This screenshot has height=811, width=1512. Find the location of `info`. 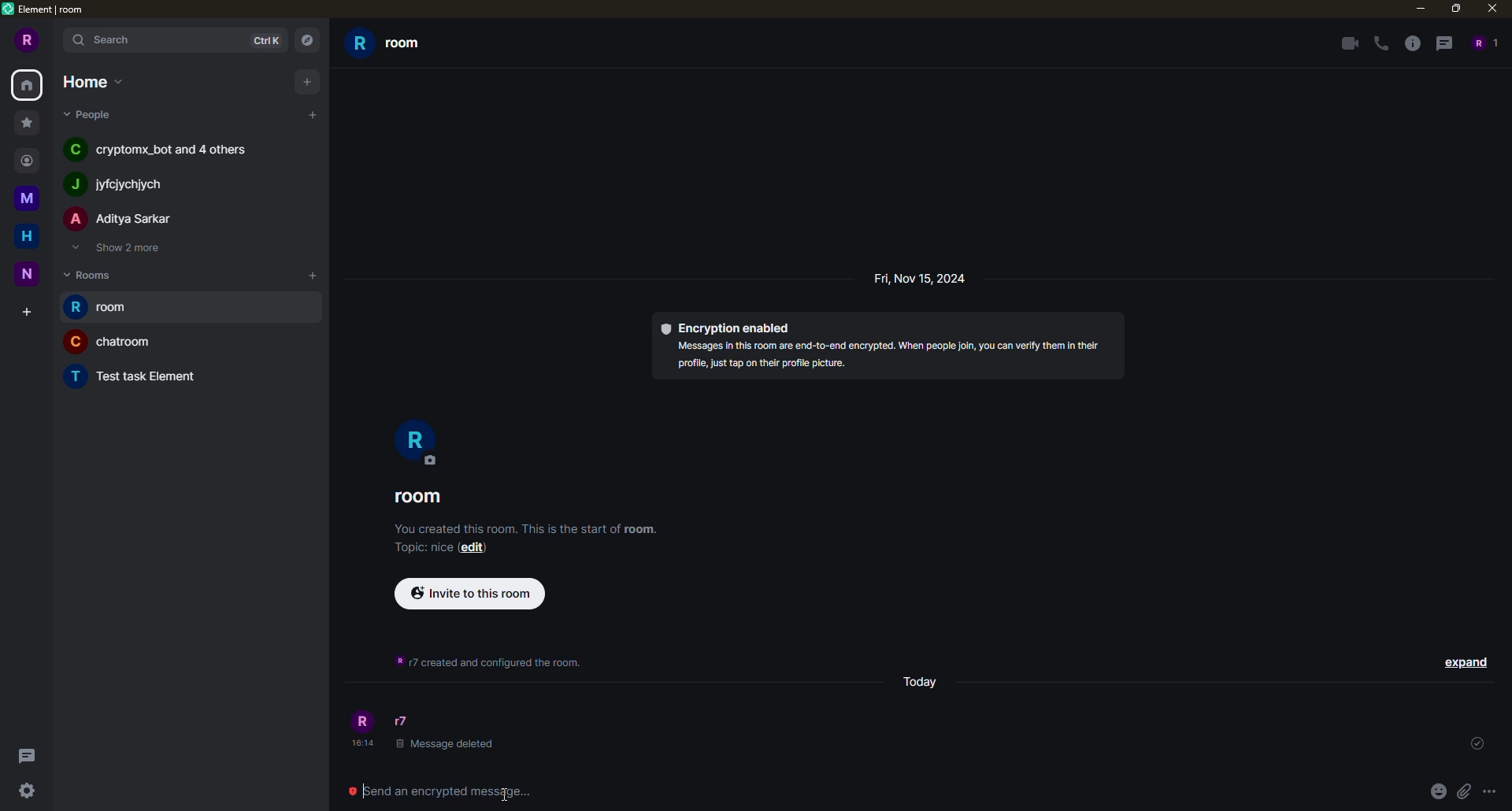

info is located at coordinates (1410, 43).